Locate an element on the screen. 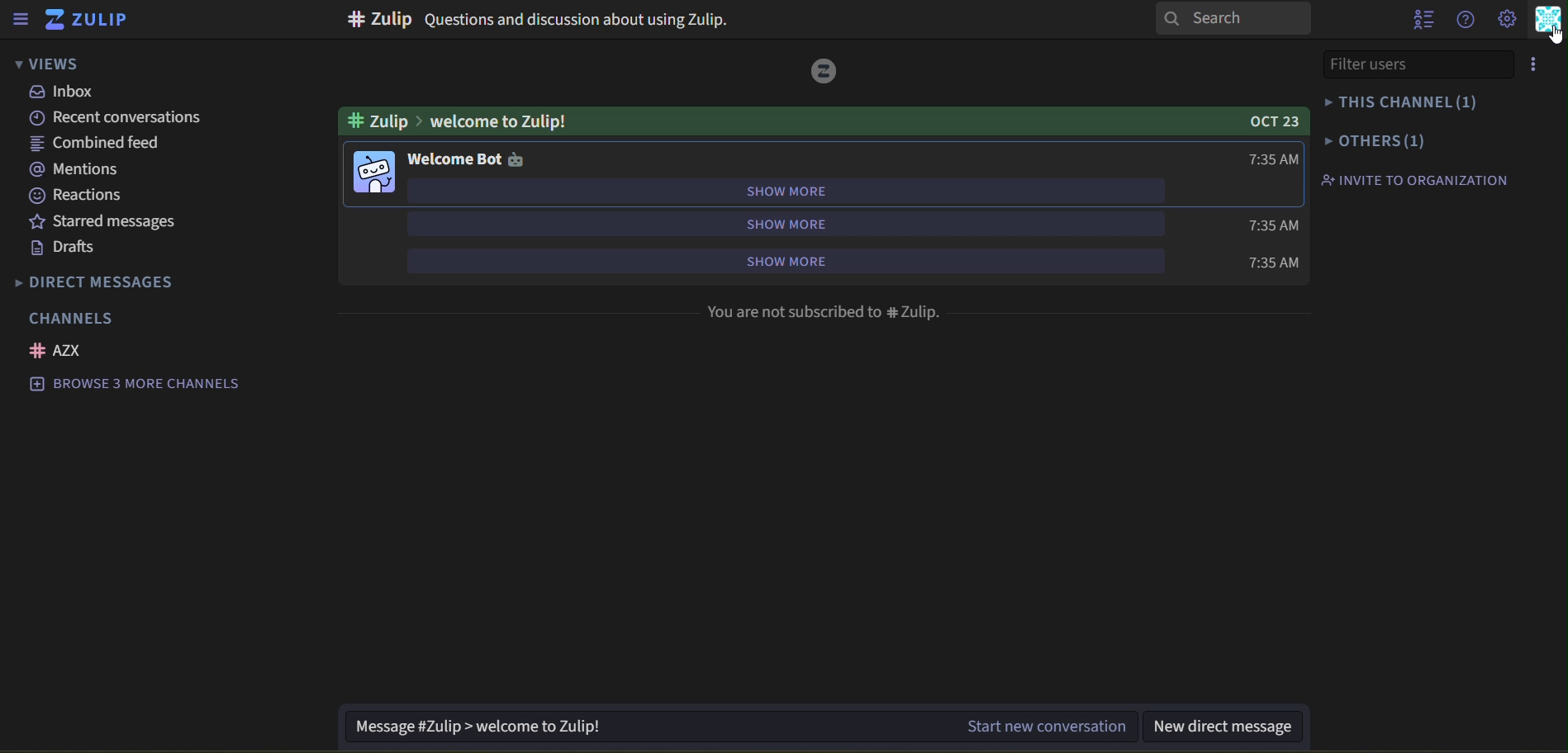 This screenshot has height=753, width=1568. invite to organisations is located at coordinates (1418, 180).